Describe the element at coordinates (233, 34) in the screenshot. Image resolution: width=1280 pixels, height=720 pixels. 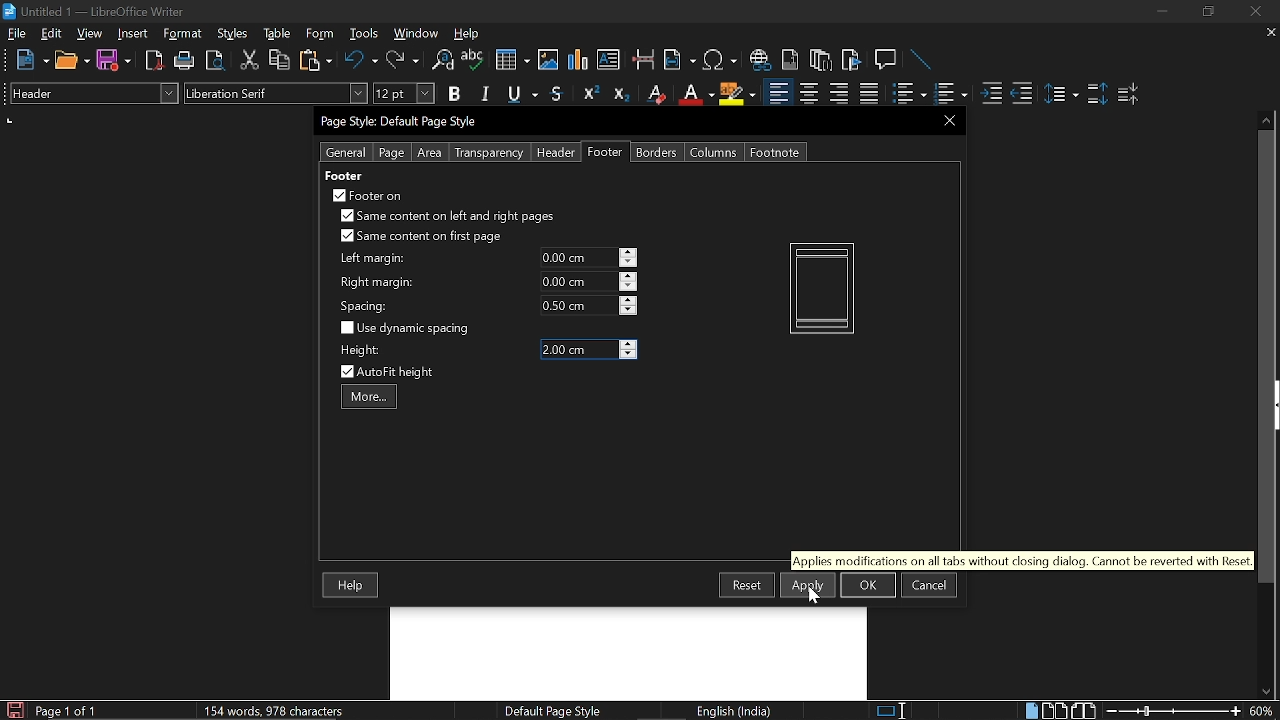
I see `Styles` at that location.